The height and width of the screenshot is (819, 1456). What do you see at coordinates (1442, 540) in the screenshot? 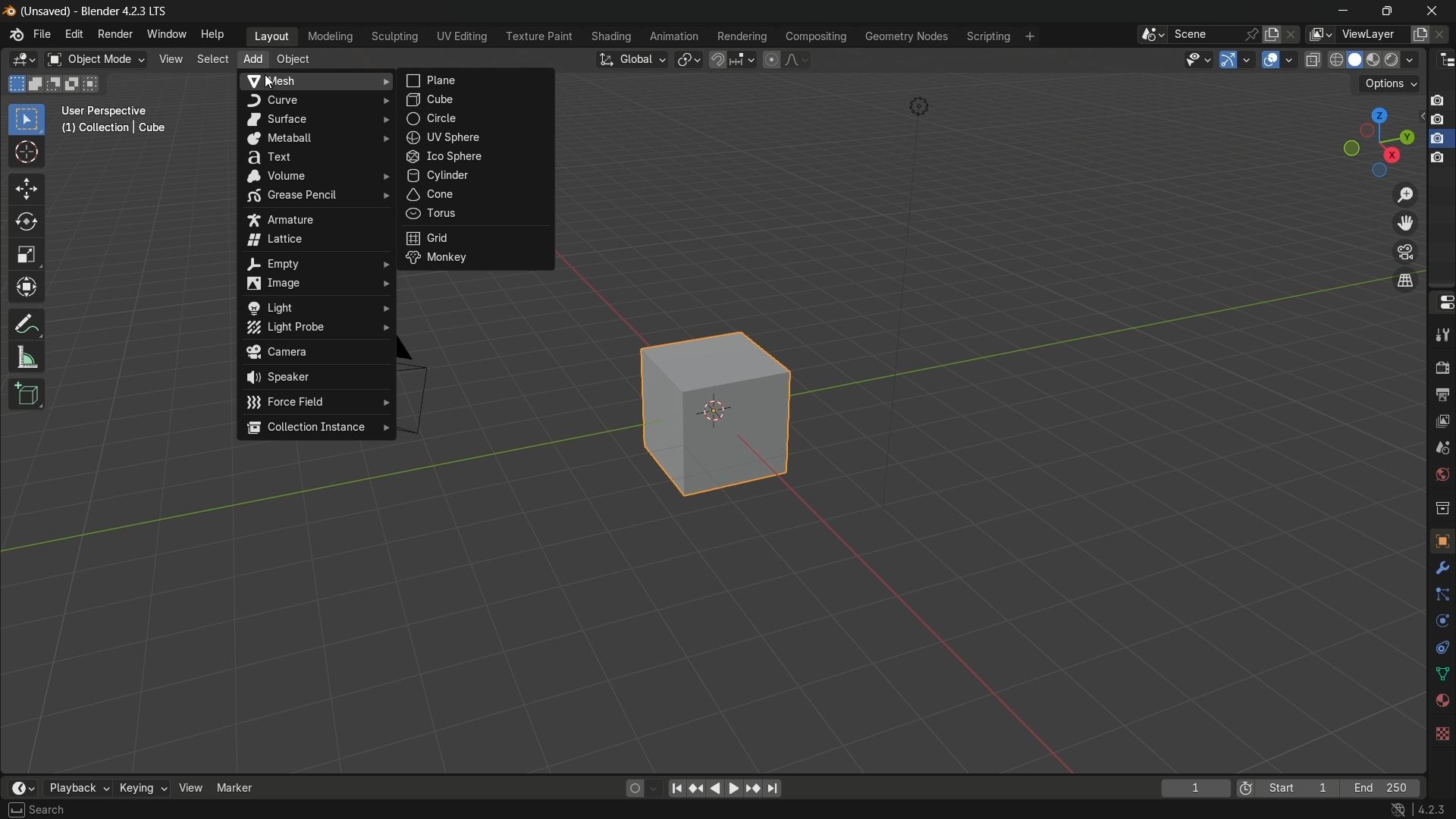
I see `object` at bounding box center [1442, 540].